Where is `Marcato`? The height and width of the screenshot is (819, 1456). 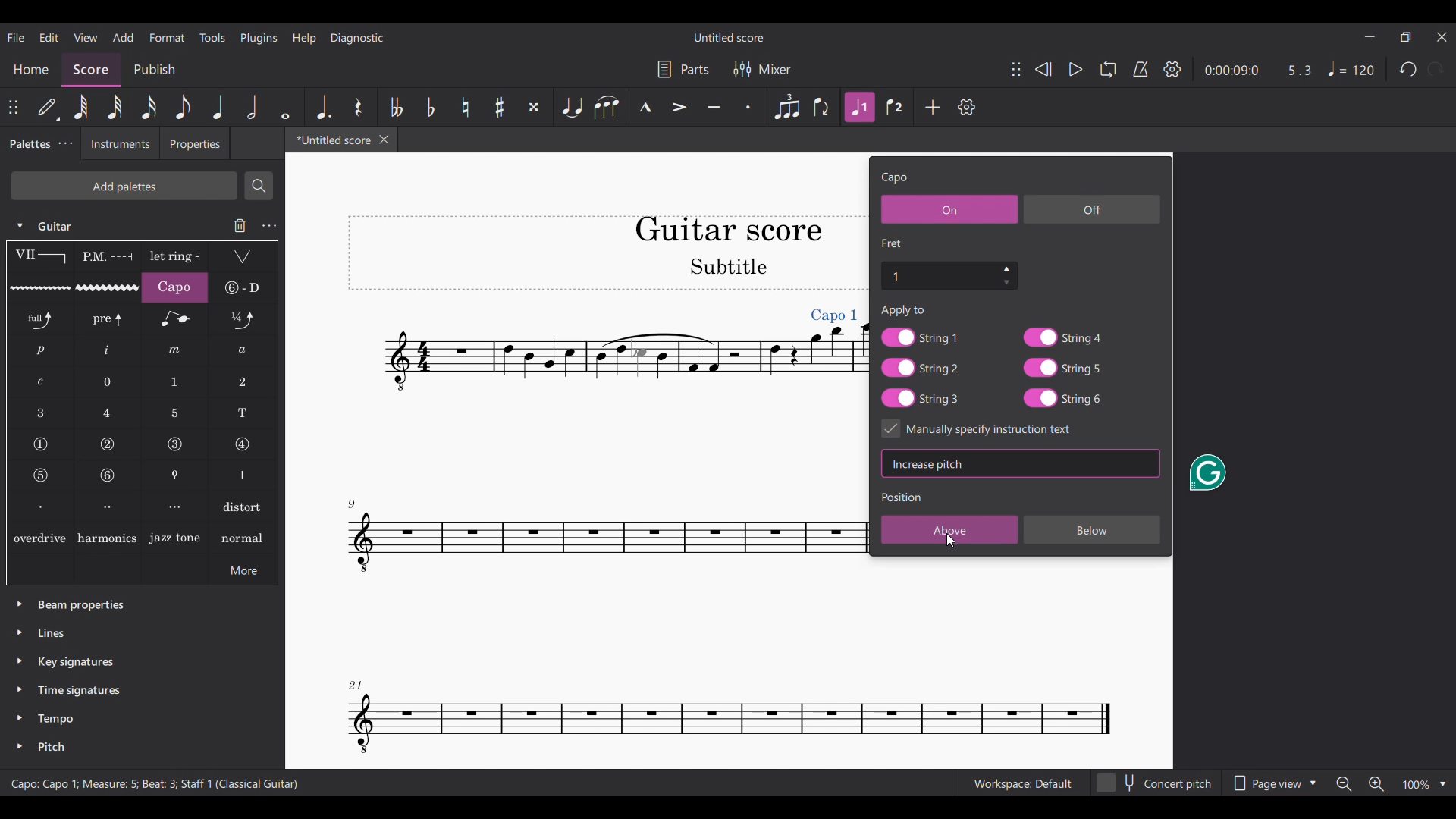 Marcato is located at coordinates (644, 108).